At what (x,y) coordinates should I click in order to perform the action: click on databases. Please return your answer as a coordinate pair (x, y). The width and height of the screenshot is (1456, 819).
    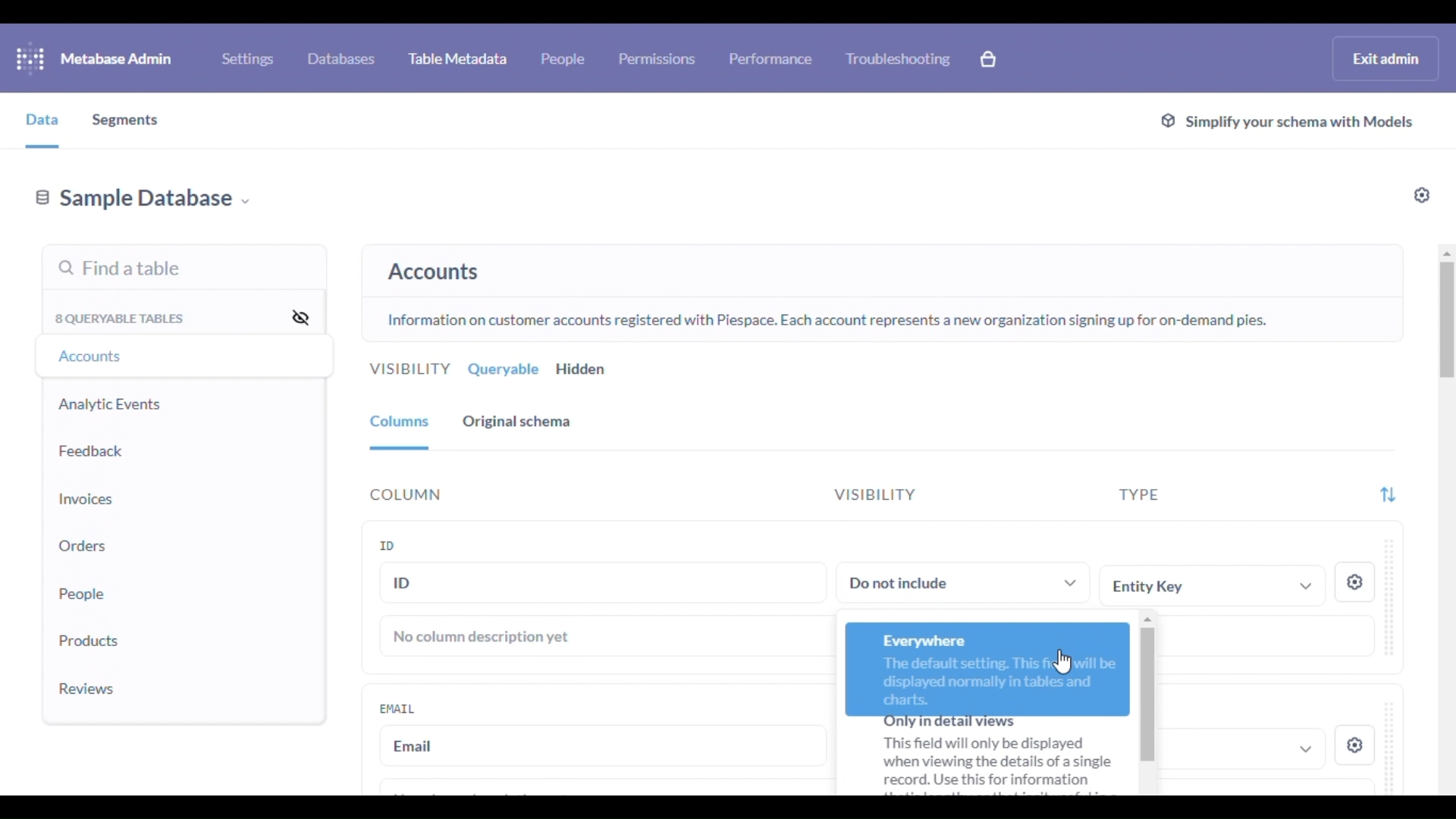
    Looking at the image, I should click on (341, 58).